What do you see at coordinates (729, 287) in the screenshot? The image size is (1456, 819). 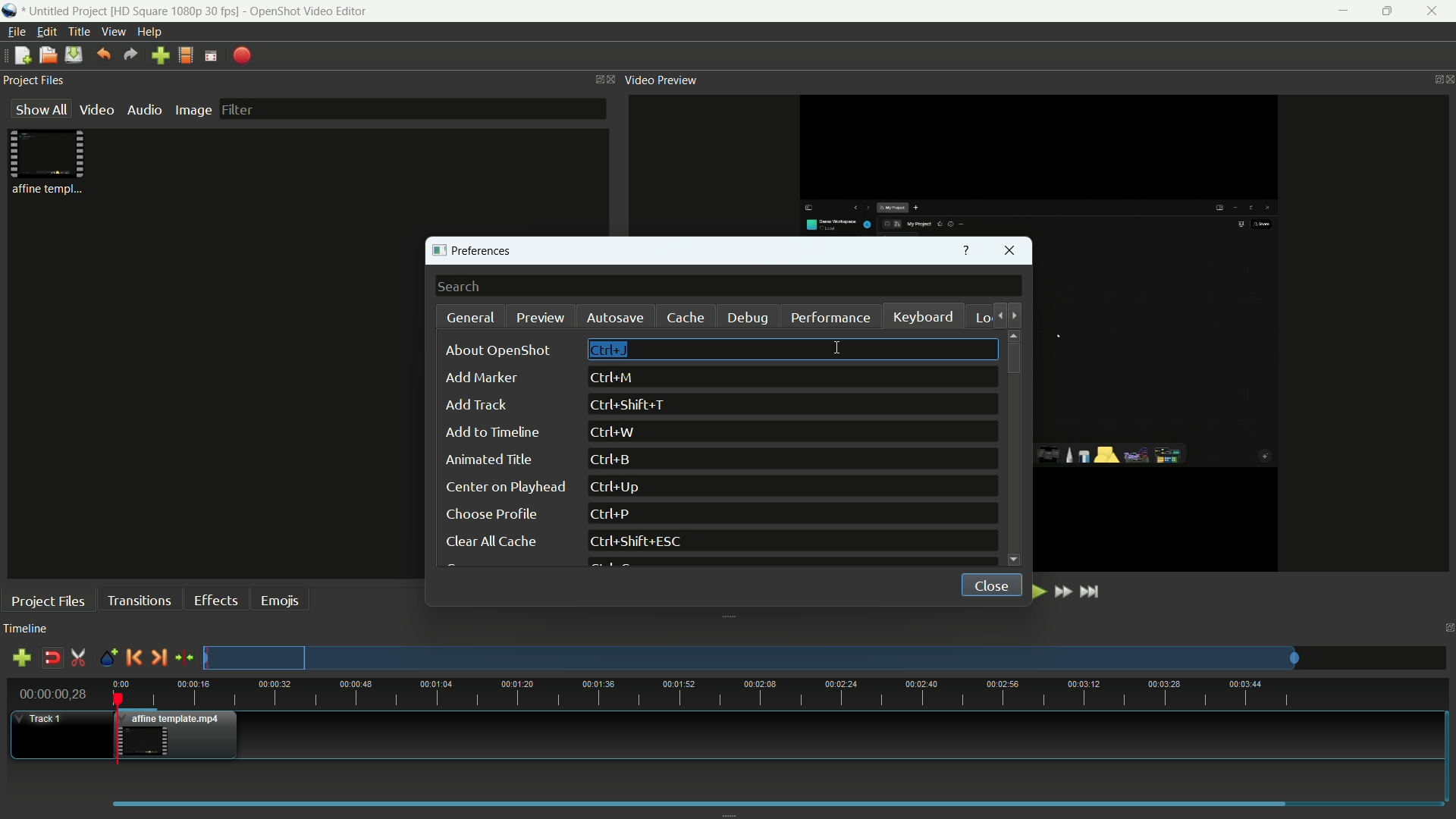 I see `search bar` at bounding box center [729, 287].